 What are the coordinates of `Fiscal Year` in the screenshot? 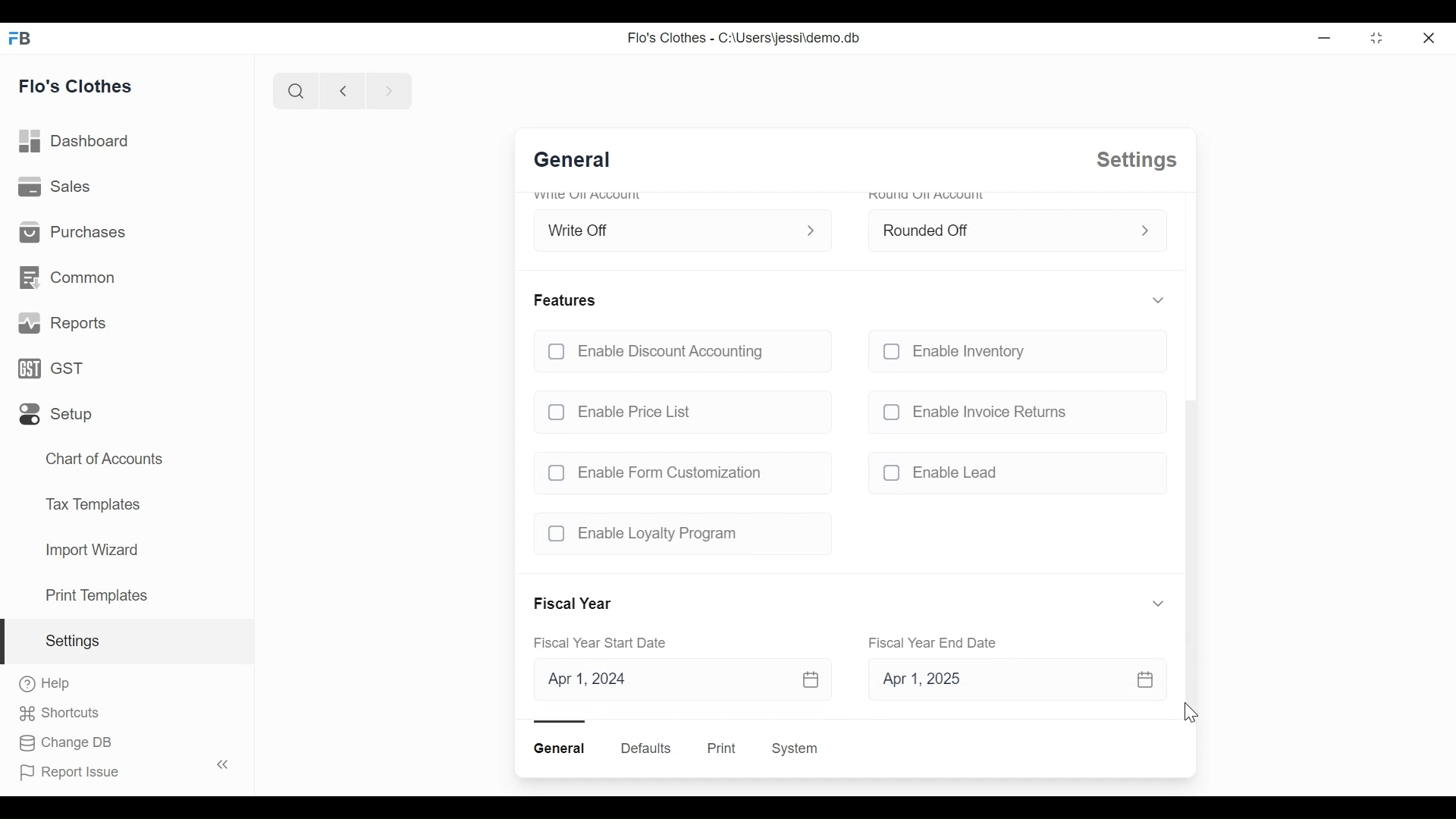 It's located at (576, 604).